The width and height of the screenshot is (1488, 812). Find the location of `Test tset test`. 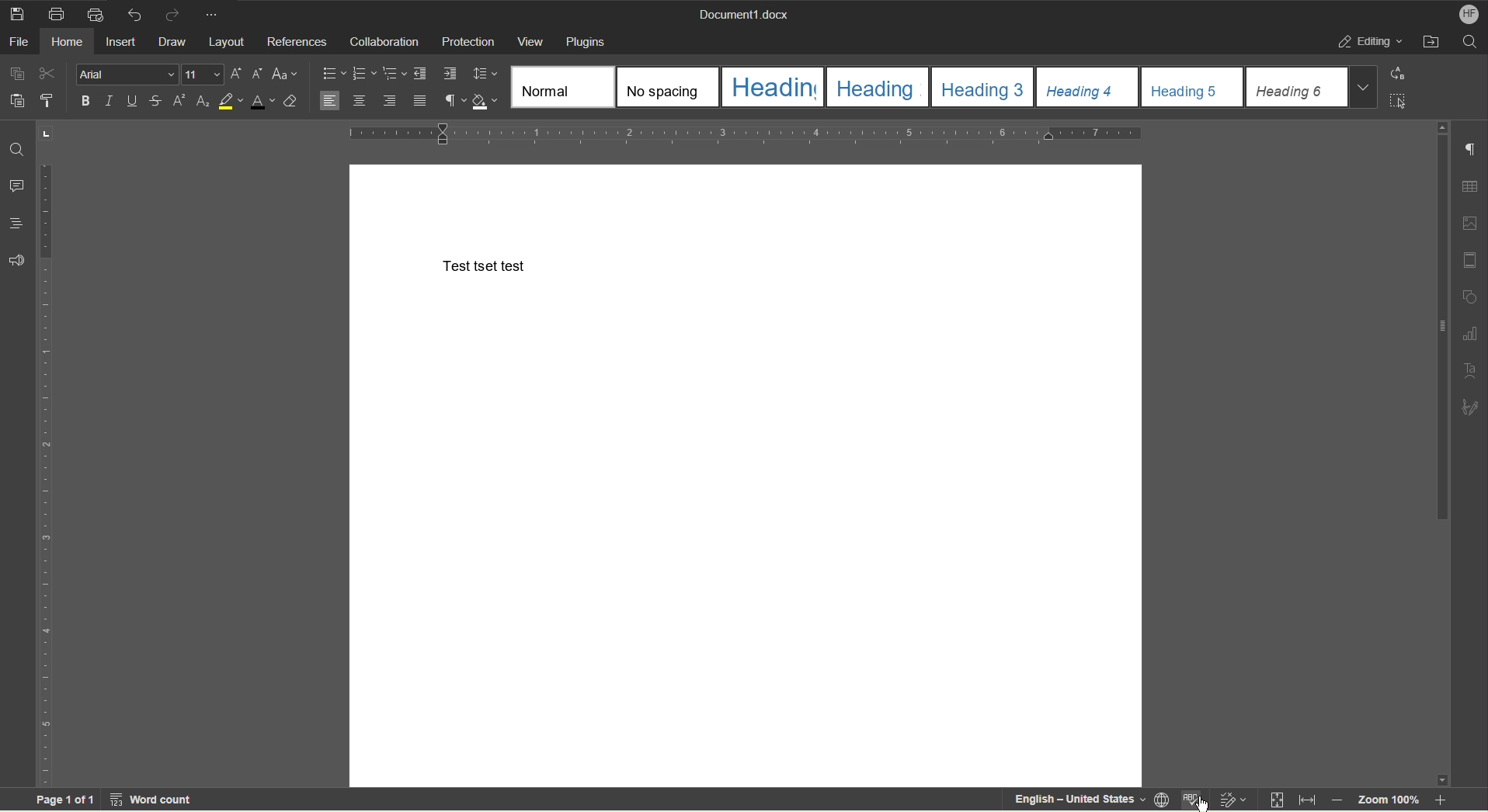

Test tset test is located at coordinates (482, 265).